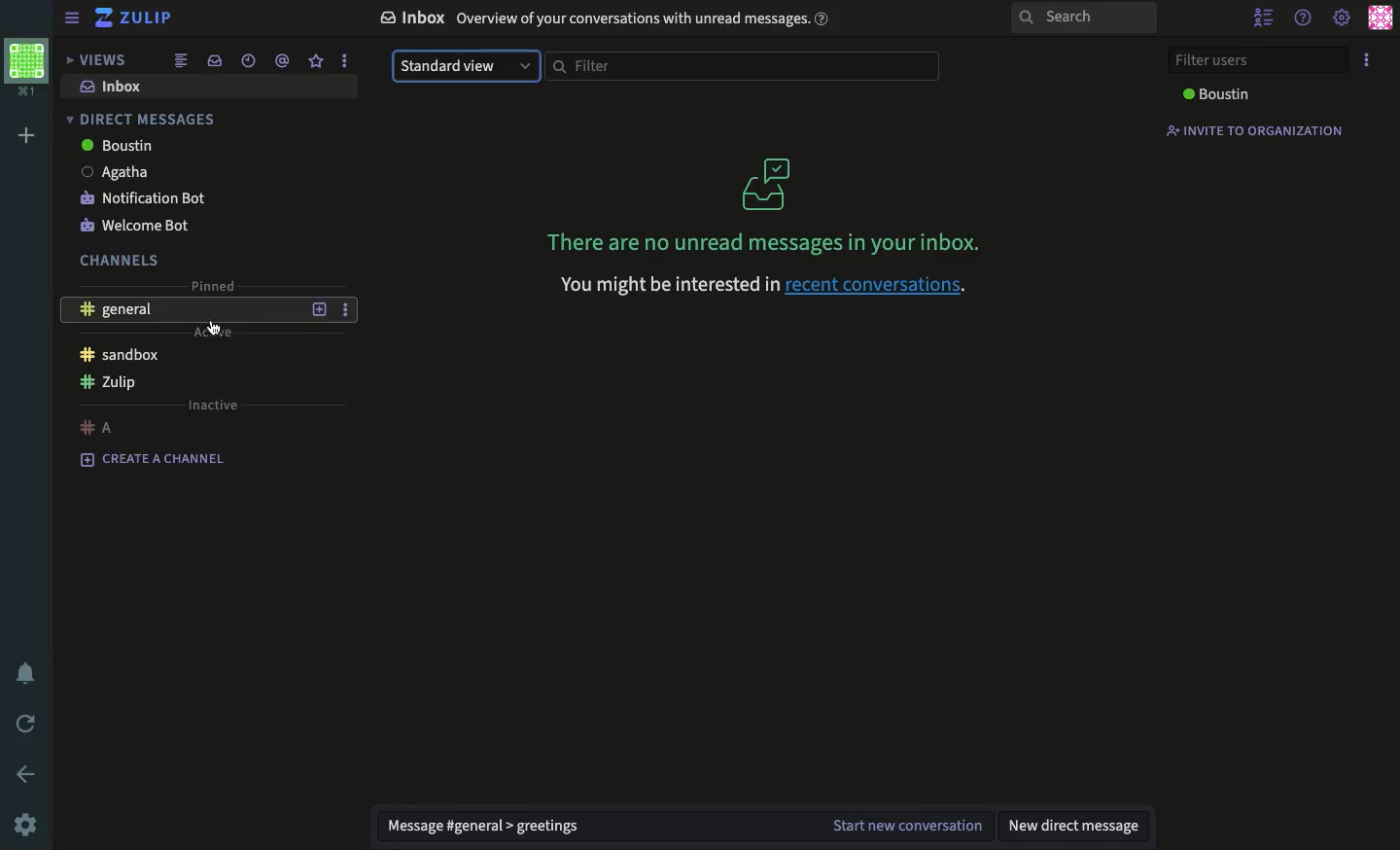 This screenshot has height=850, width=1400. Describe the element at coordinates (214, 407) in the screenshot. I see `inactive` at that location.